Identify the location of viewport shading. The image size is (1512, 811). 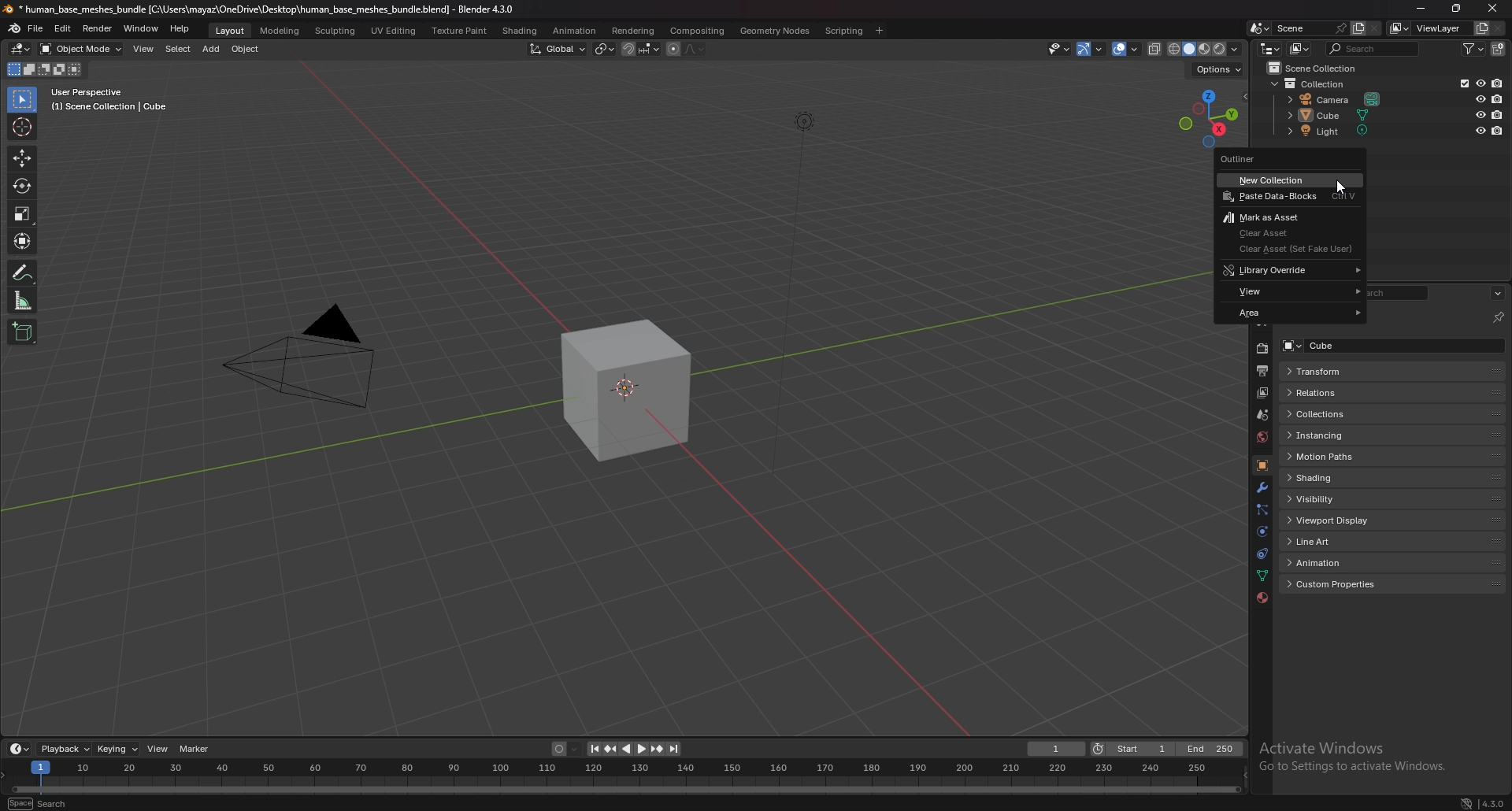
(1196, 48).